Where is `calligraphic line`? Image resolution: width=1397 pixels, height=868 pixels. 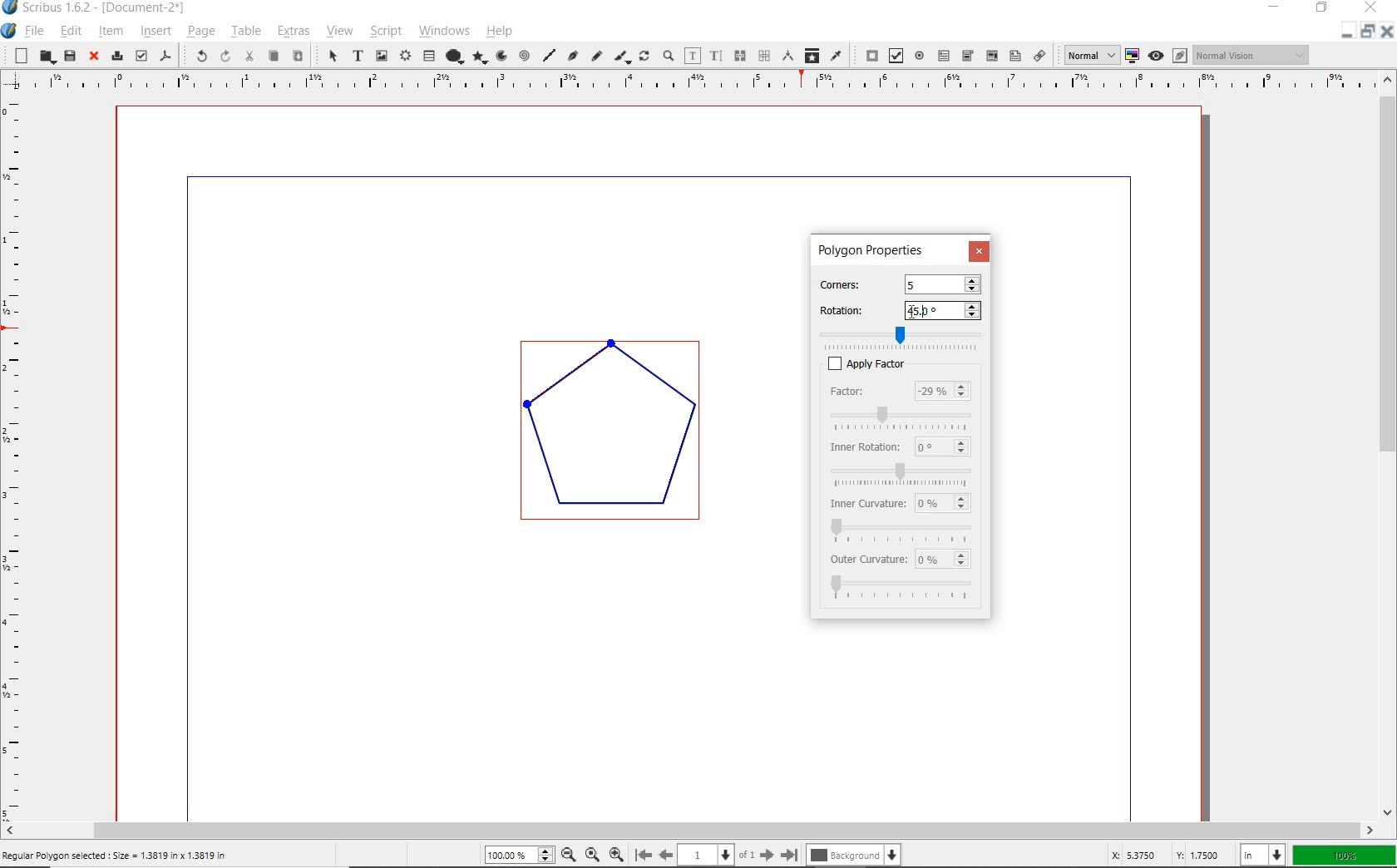 calligraphic line is located at coordinates (622, 57).